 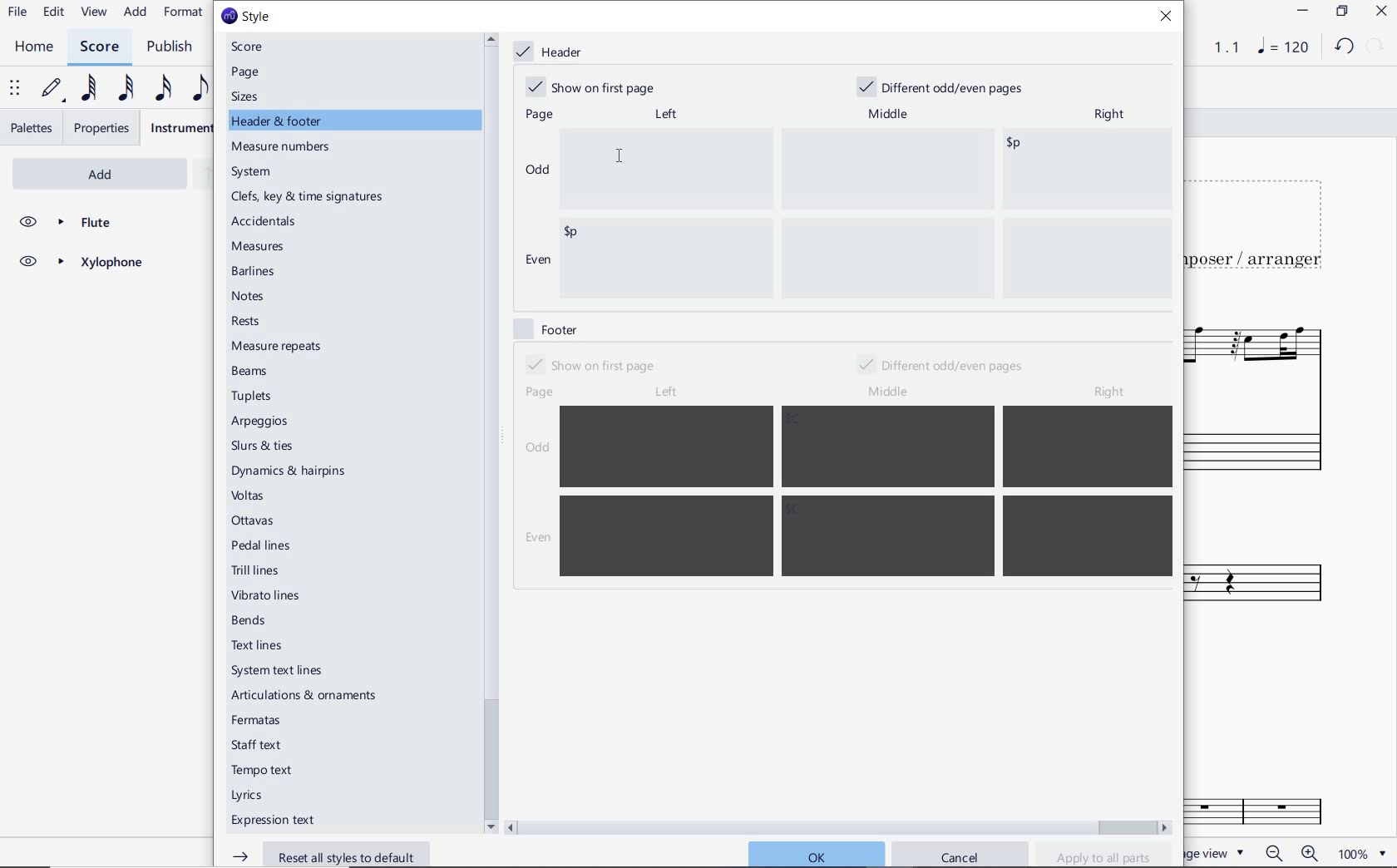 What do you see at coordinates (263, 545) in the screenshot?
I see `pedal lines` at bounding box center [263, 545].